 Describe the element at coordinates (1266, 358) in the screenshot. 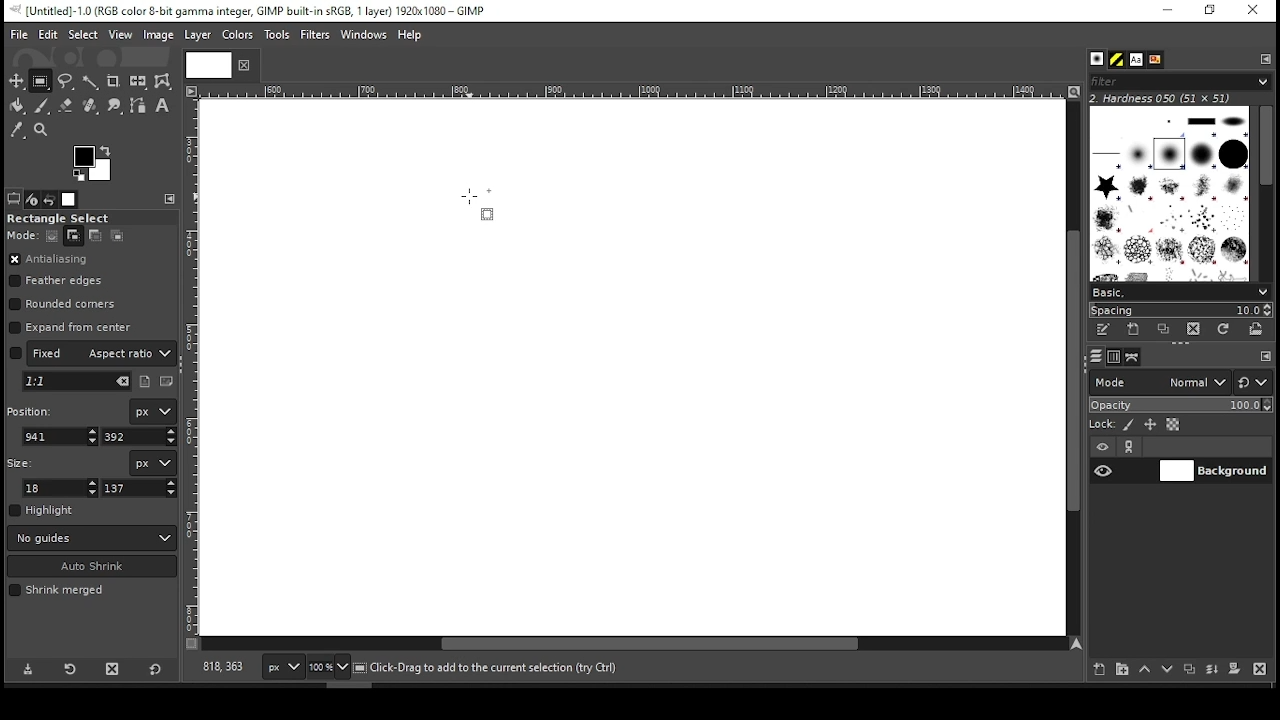

I see `configure this tab` at that location.